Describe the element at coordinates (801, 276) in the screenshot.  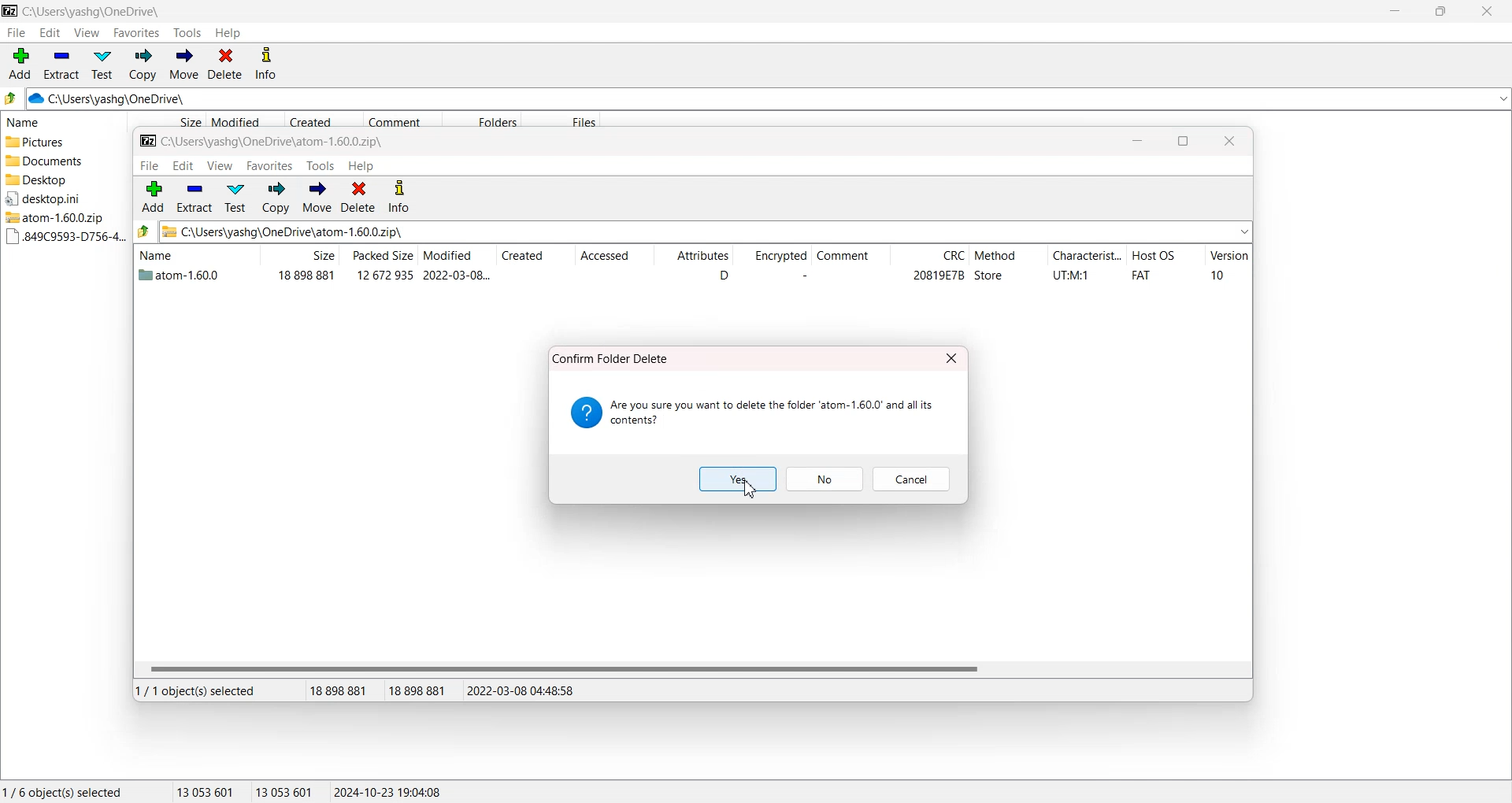
I see `-` at that location.